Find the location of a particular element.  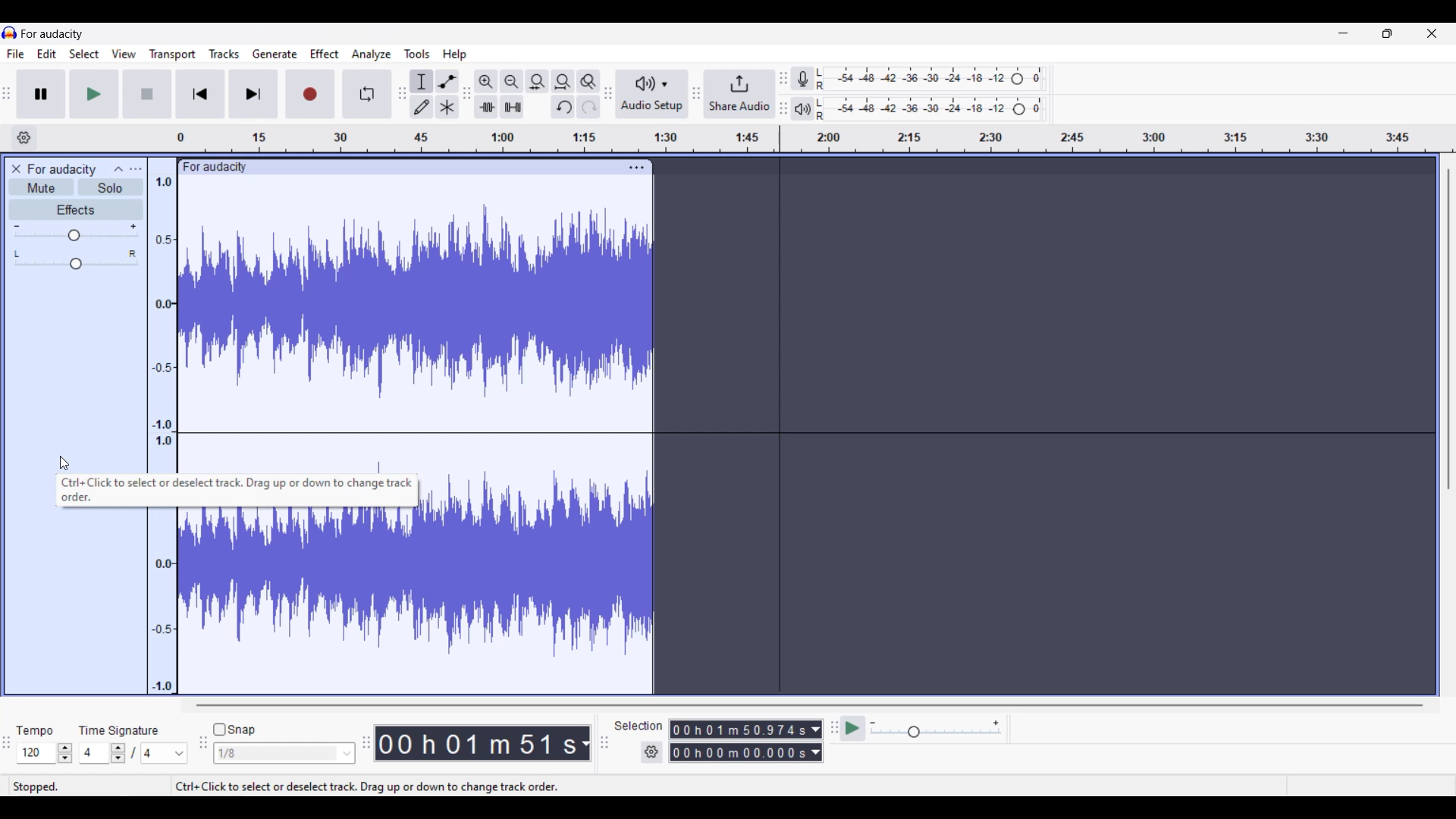

Skip/Select to start is located at coordinates (200, 93).